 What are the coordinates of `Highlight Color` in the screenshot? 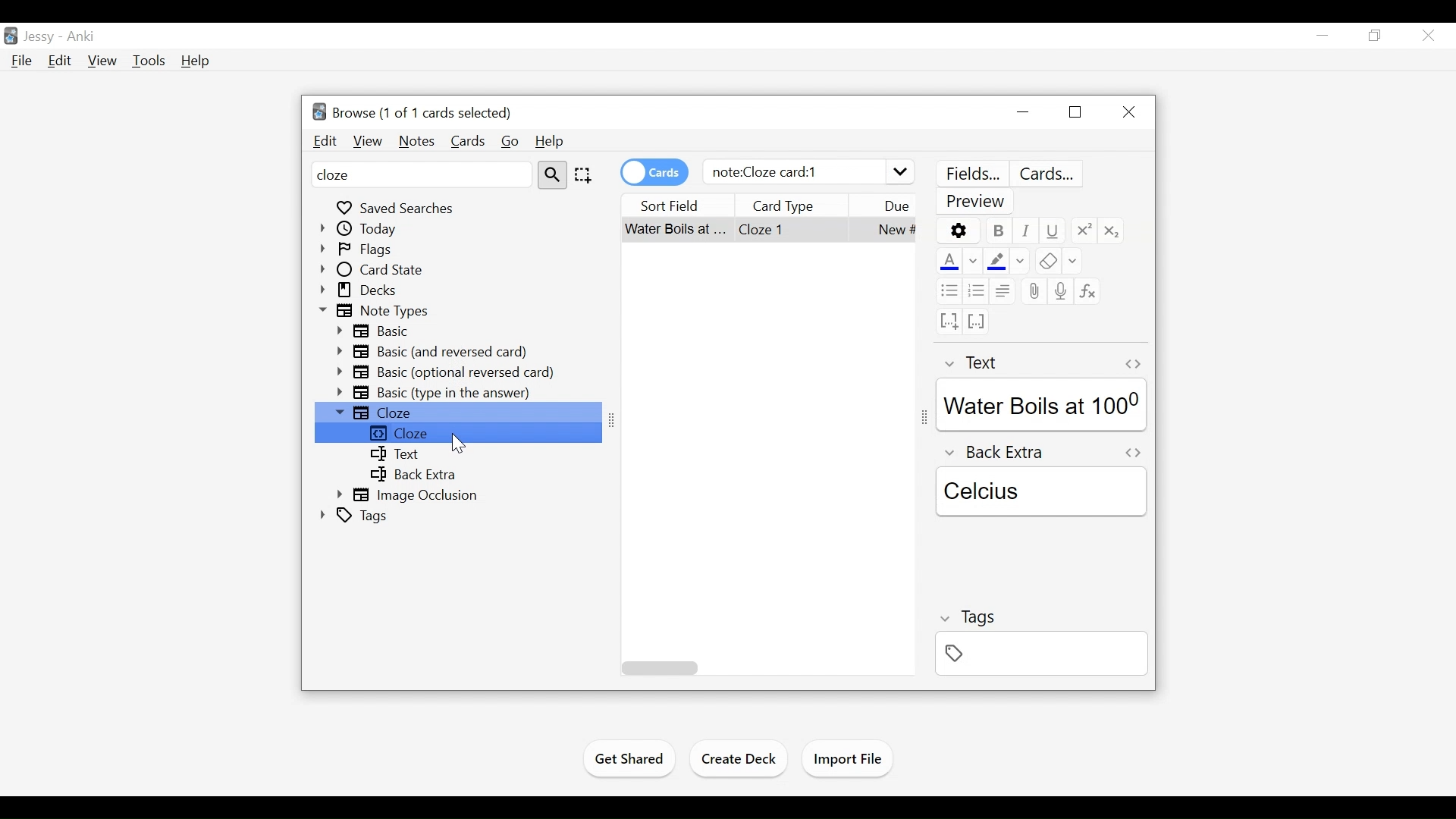 It's located at (1009, 260).